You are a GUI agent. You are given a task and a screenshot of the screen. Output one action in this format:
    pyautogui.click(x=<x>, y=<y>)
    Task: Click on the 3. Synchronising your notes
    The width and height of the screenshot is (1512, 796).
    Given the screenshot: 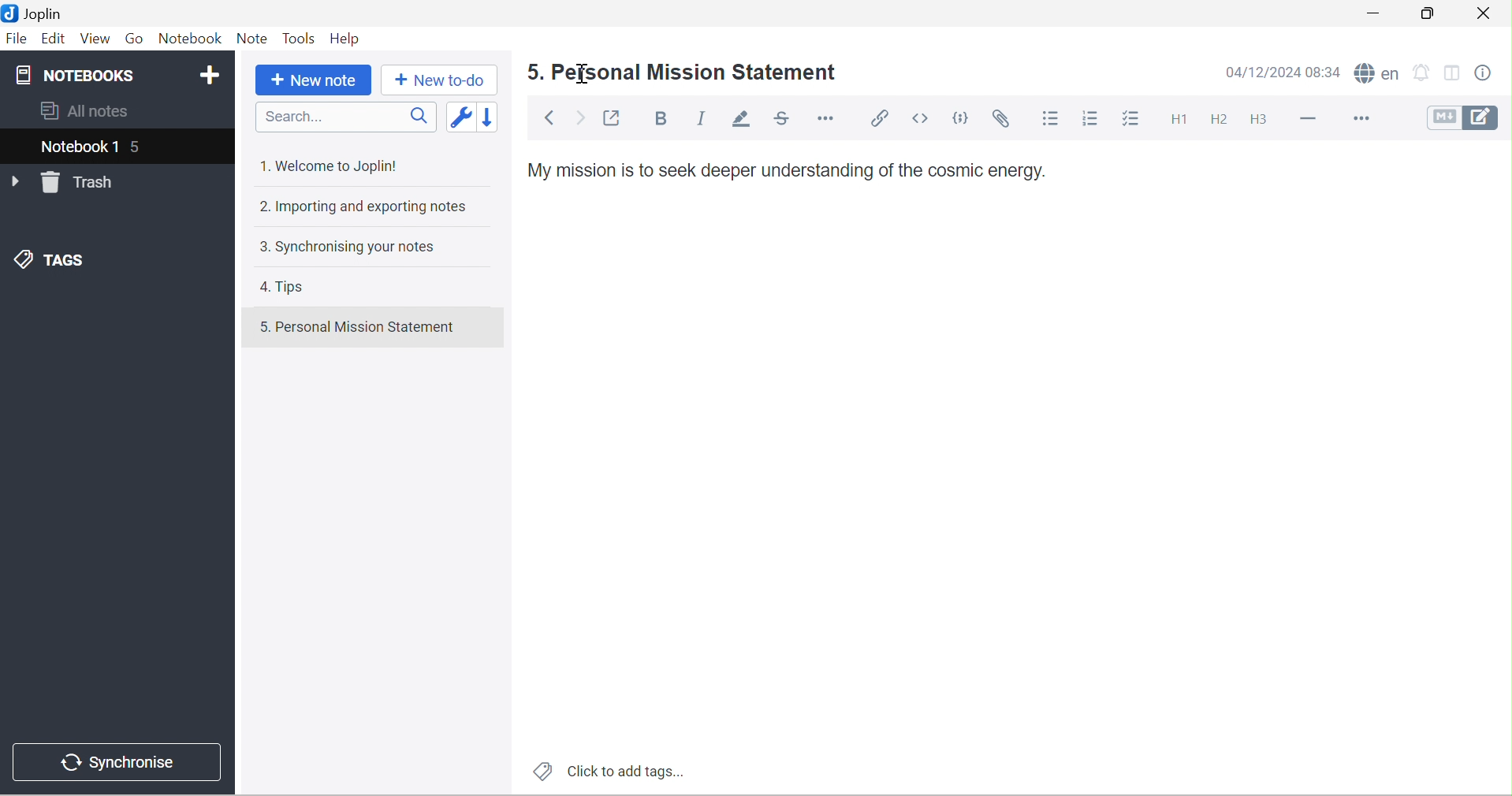 What is the action you would take?
    pyautogui.click(x=351, y=250)
    